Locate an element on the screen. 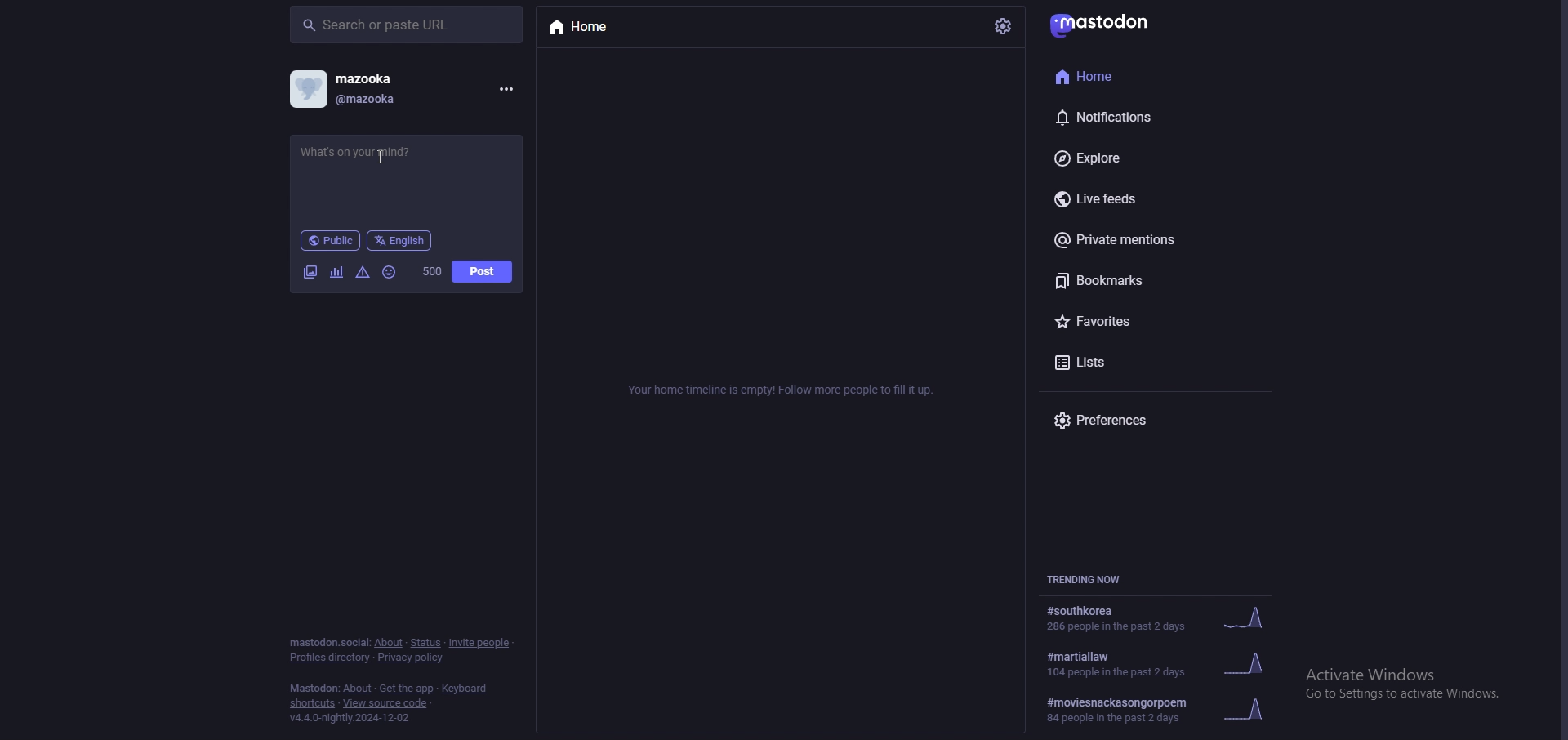 The width and height of the screenshot is (1568, 740). menu is located at coordinates (505, 89).